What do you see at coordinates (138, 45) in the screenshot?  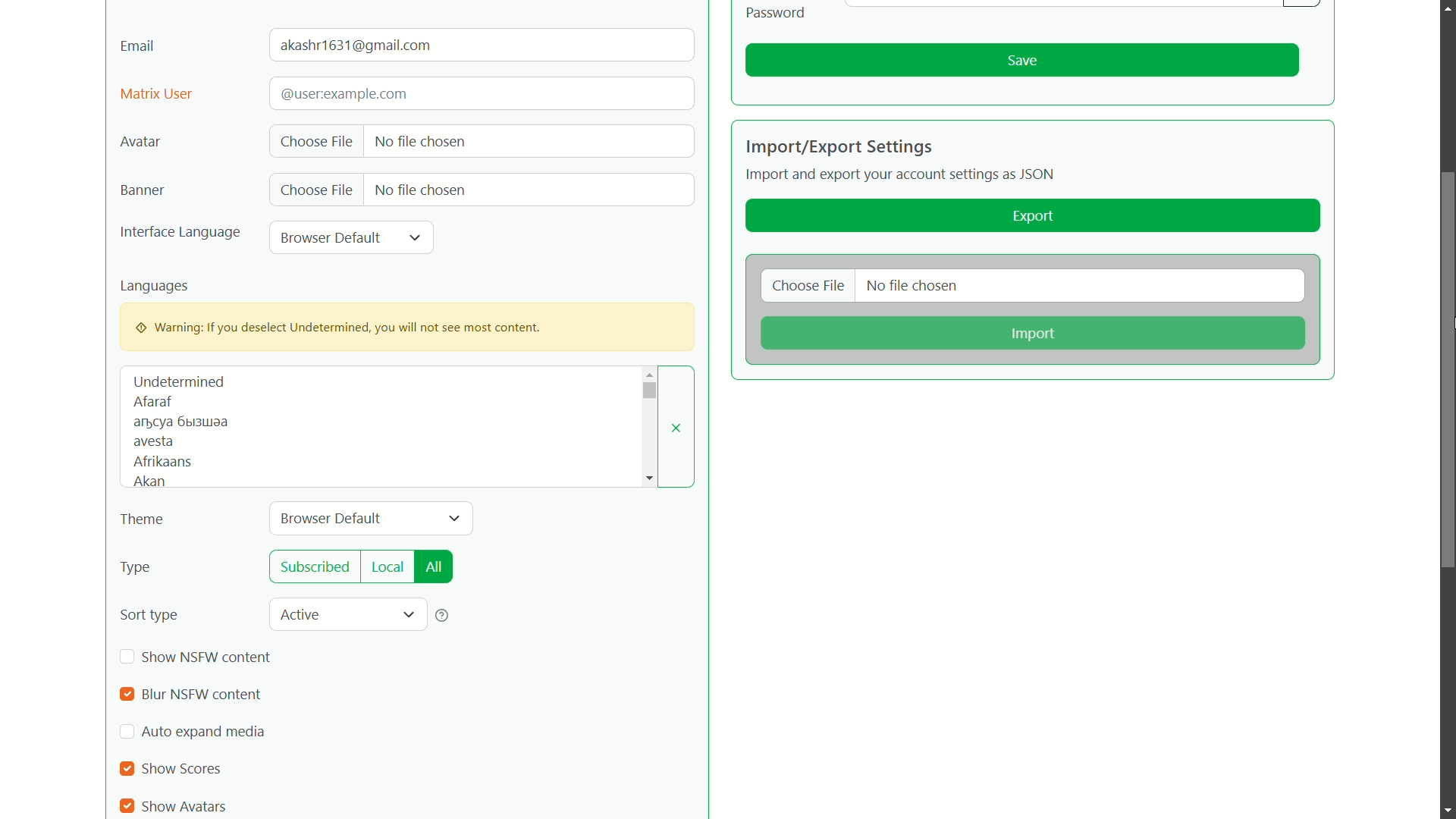 I see `email` at bounding box center [138, 45].